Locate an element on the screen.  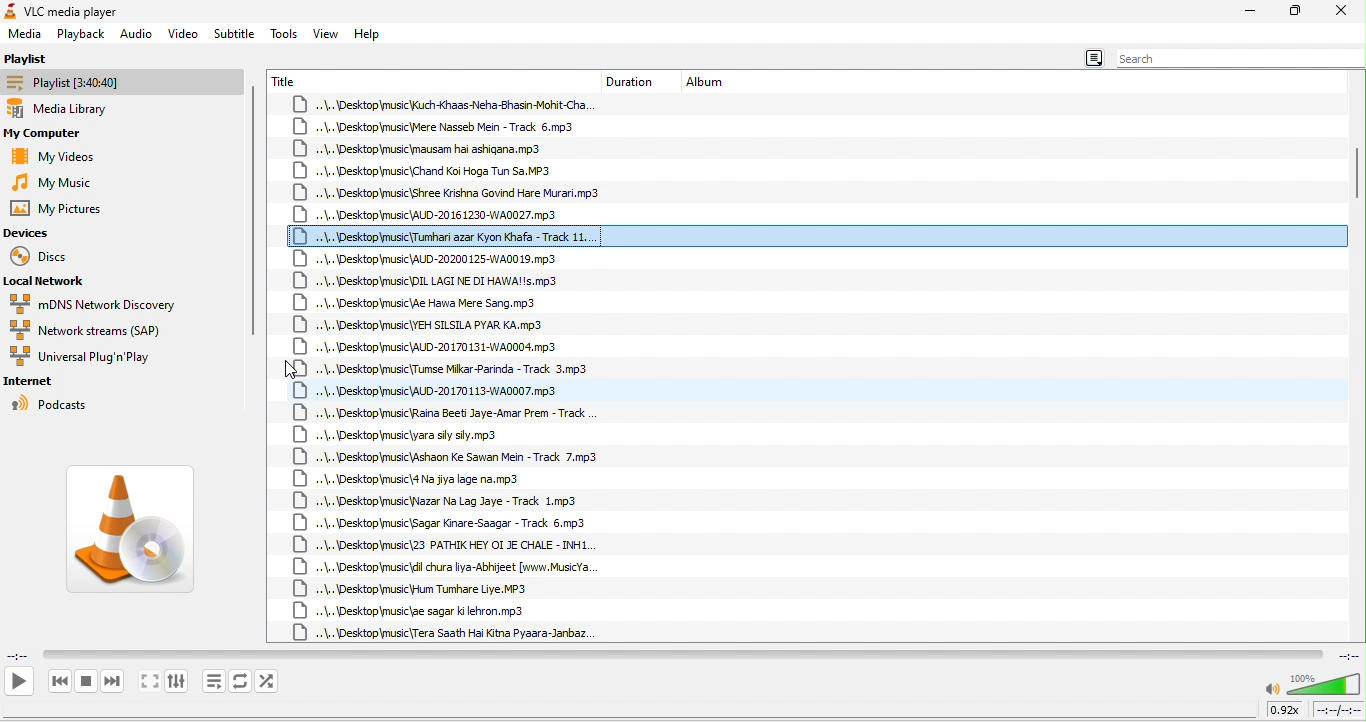
+.\.\Desktop\music\AUD-20170131-WA0004.mp3 is located at coordinates (430, 346).